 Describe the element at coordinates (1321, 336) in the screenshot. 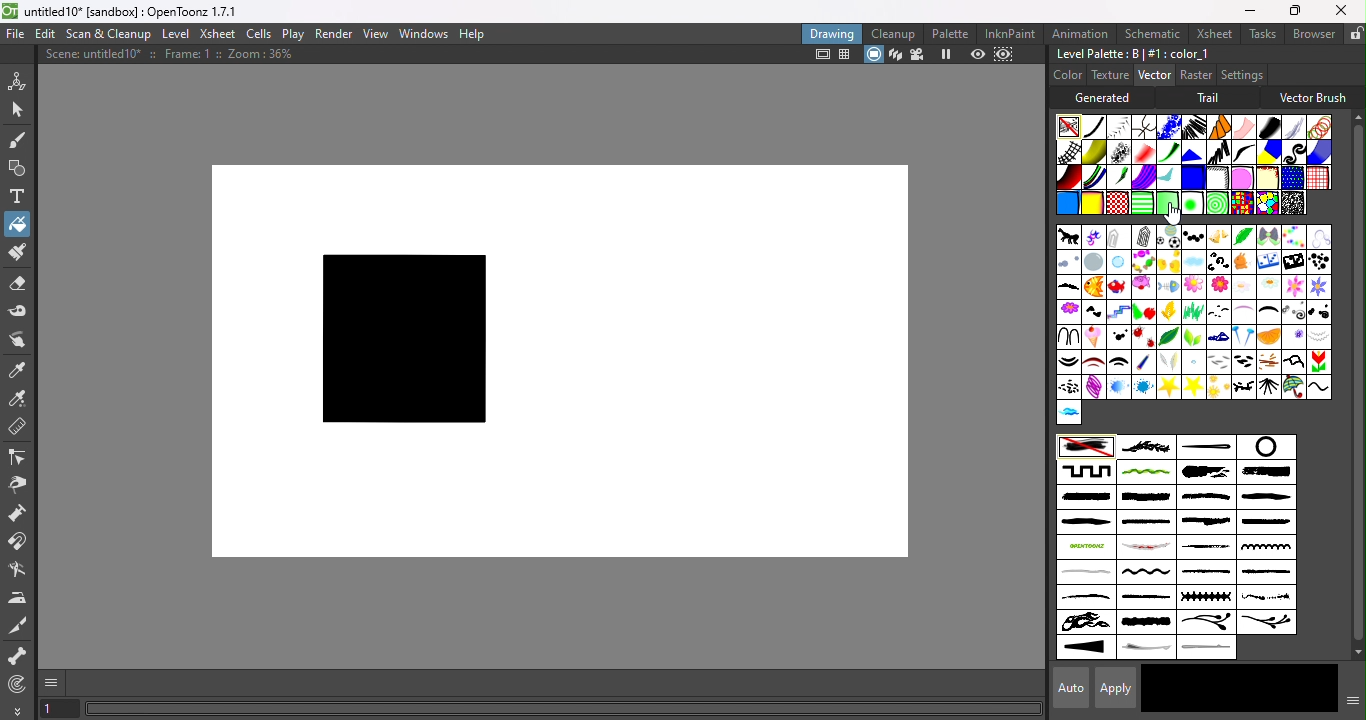

I see `Pare` at that location.